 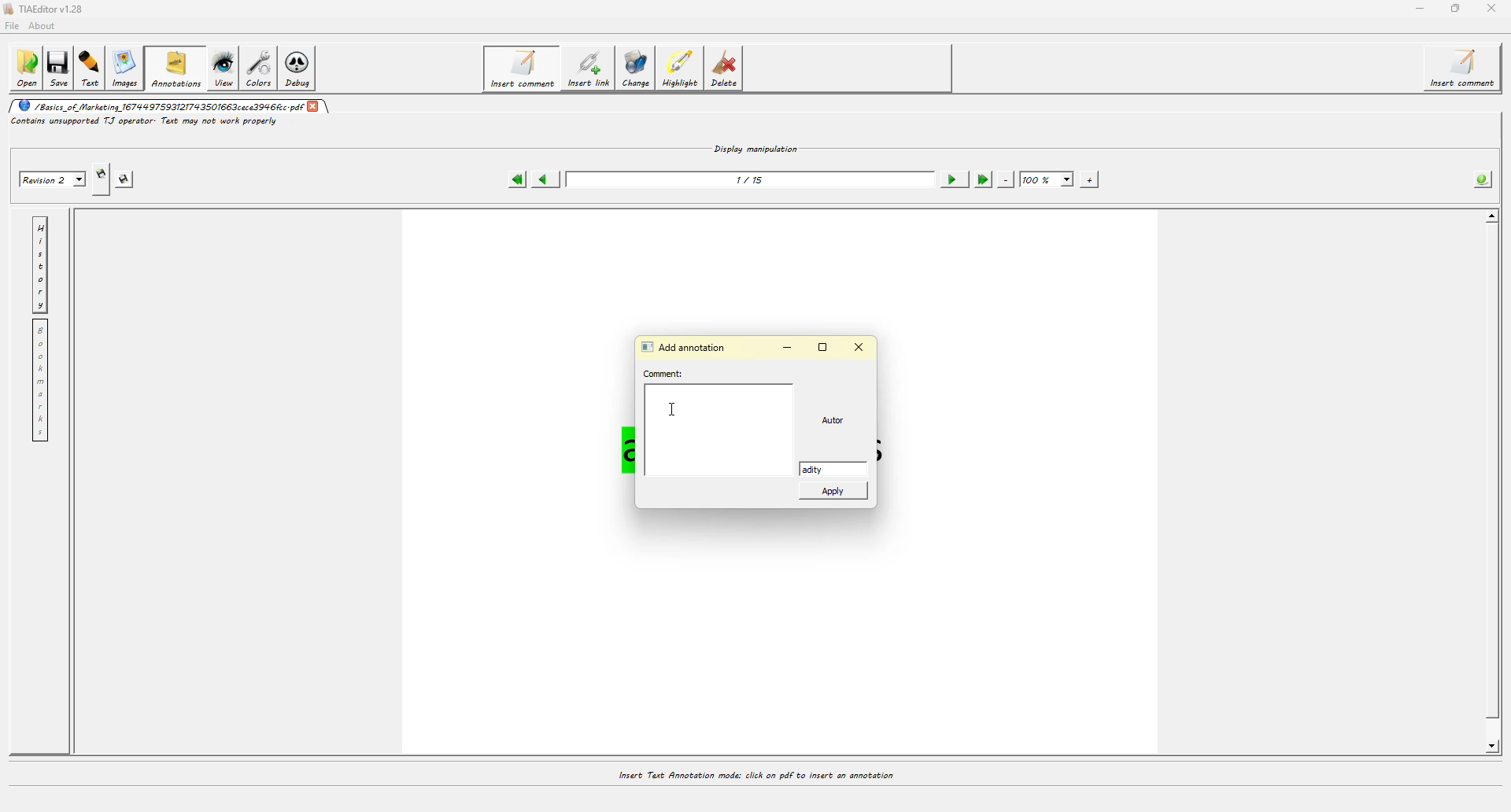 I want to click on maximize, so click(x=1456, y=8).